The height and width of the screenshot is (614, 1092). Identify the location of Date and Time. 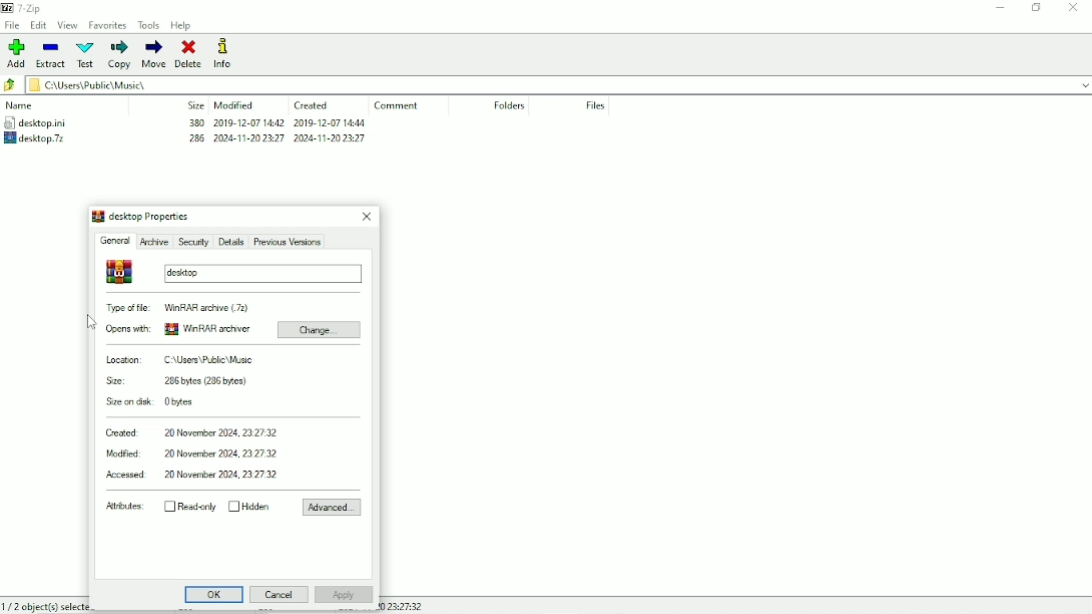
(401, 606).